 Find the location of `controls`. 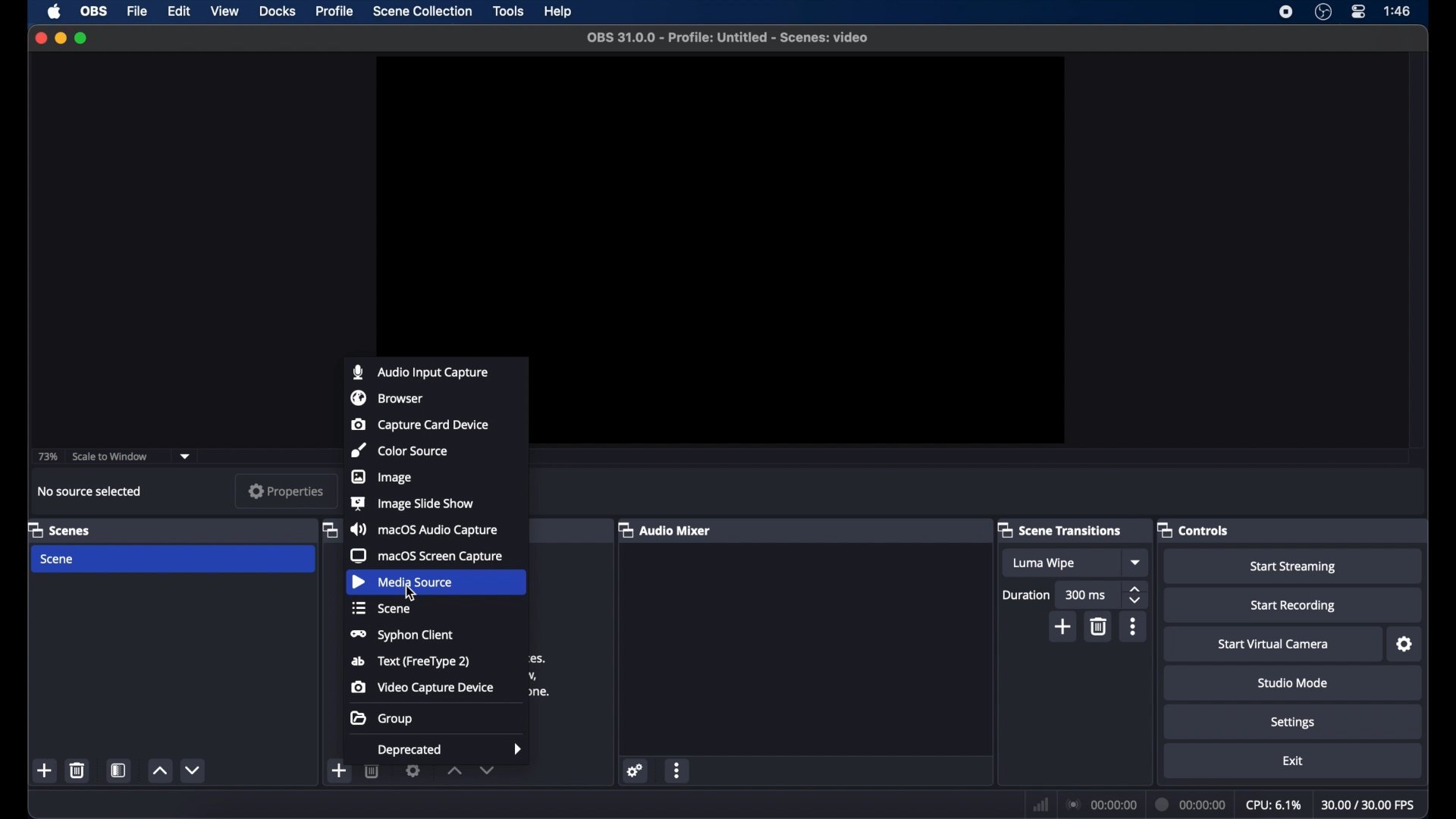

controls is located at coordinates (1192, 531).